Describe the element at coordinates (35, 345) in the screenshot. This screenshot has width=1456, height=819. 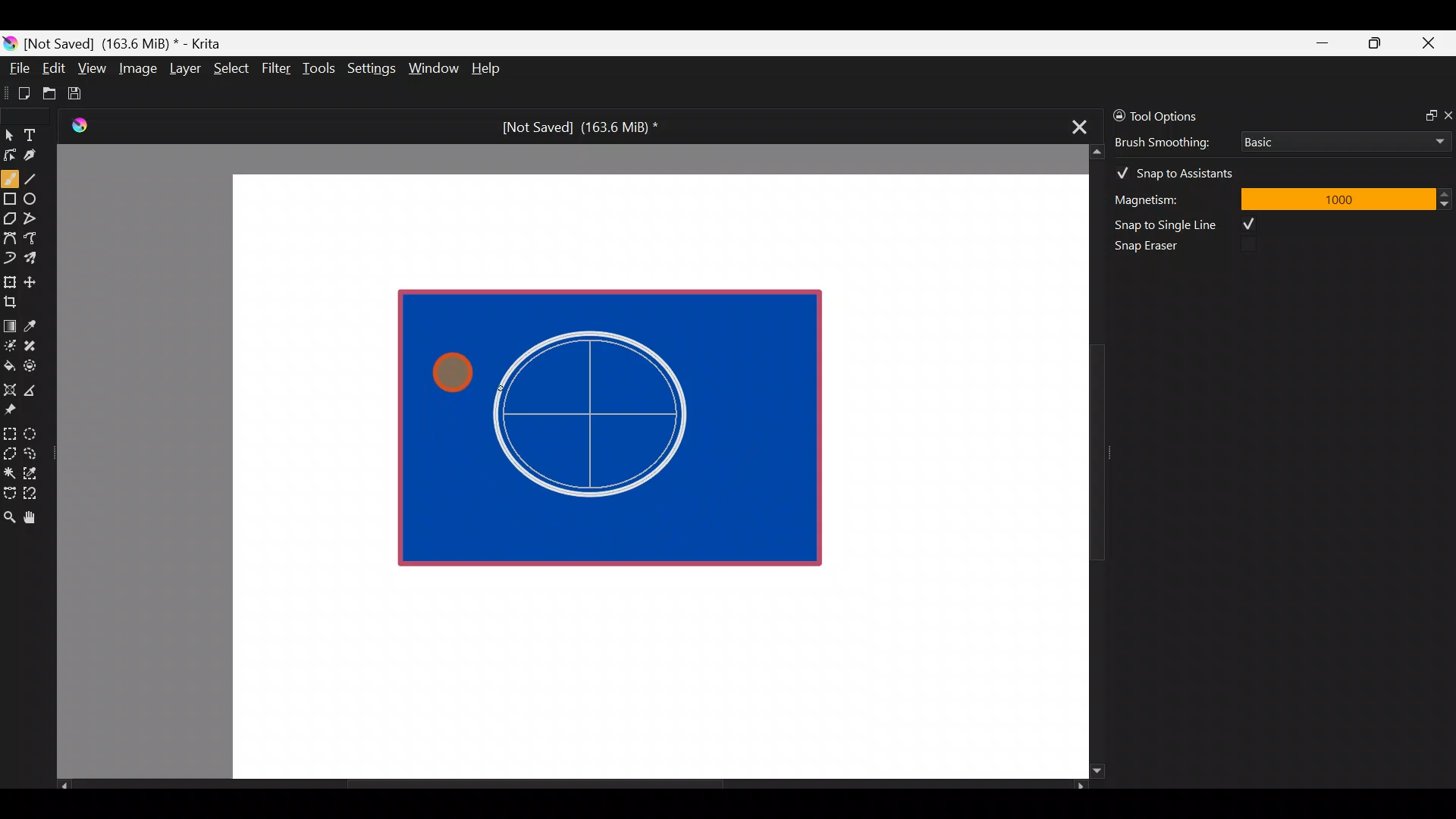
I see `Smart patch tool` at that location.